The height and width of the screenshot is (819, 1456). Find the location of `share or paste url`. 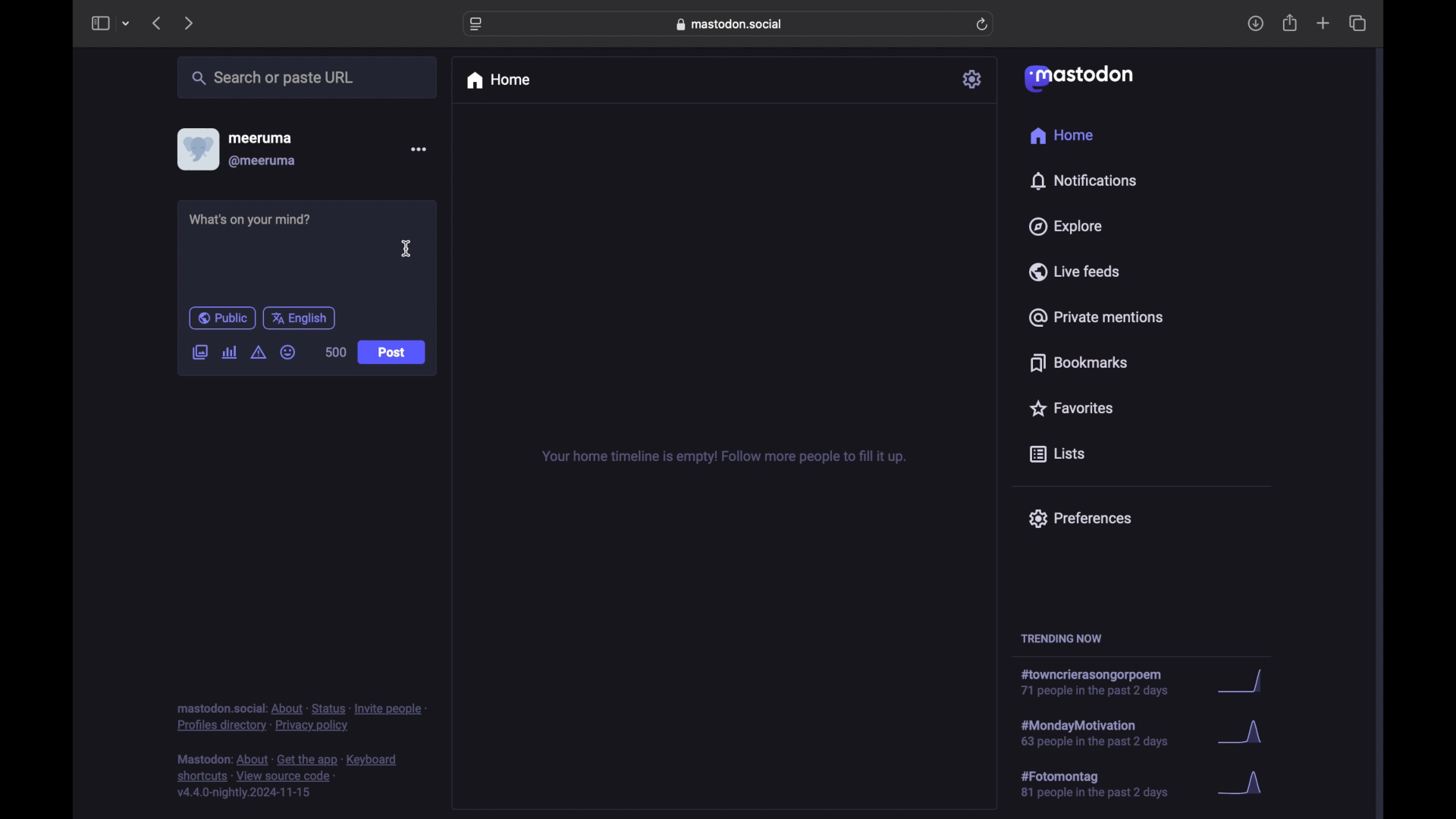

share or paste url is located at coordinates (273, 77).